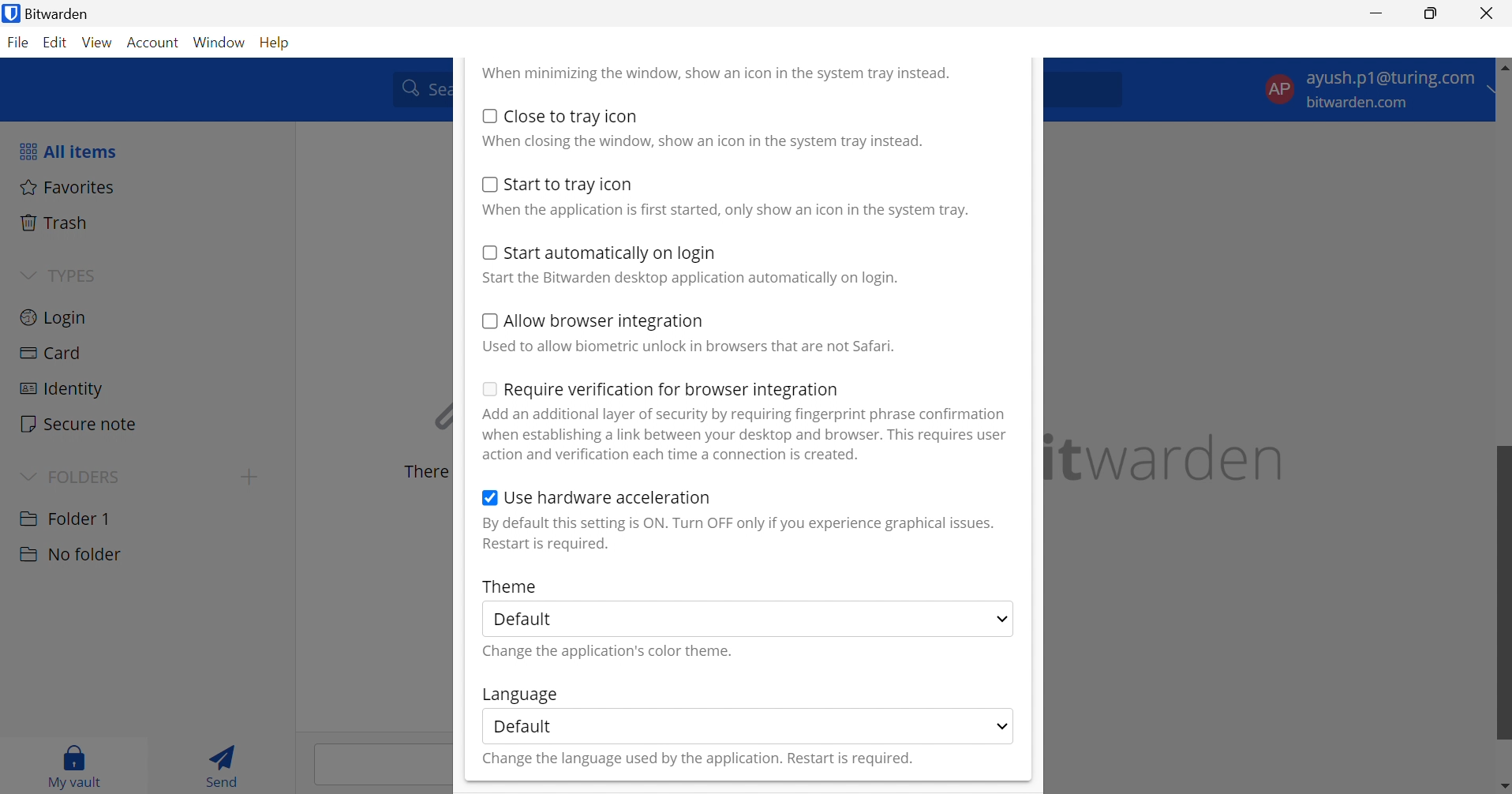  Describe the element at coordinates (672, 391) in the screenshot. I see `Require verification for browser intgretion` at that location.